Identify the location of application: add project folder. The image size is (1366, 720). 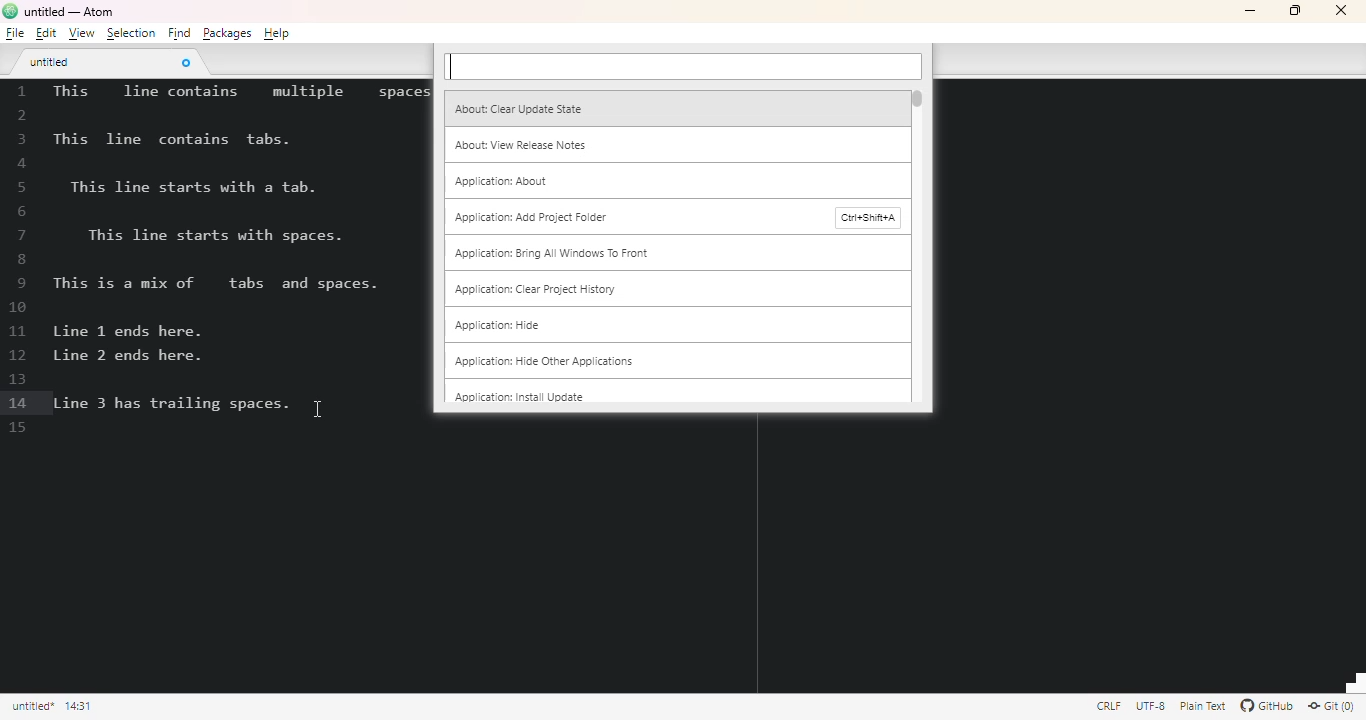
(532, 218).